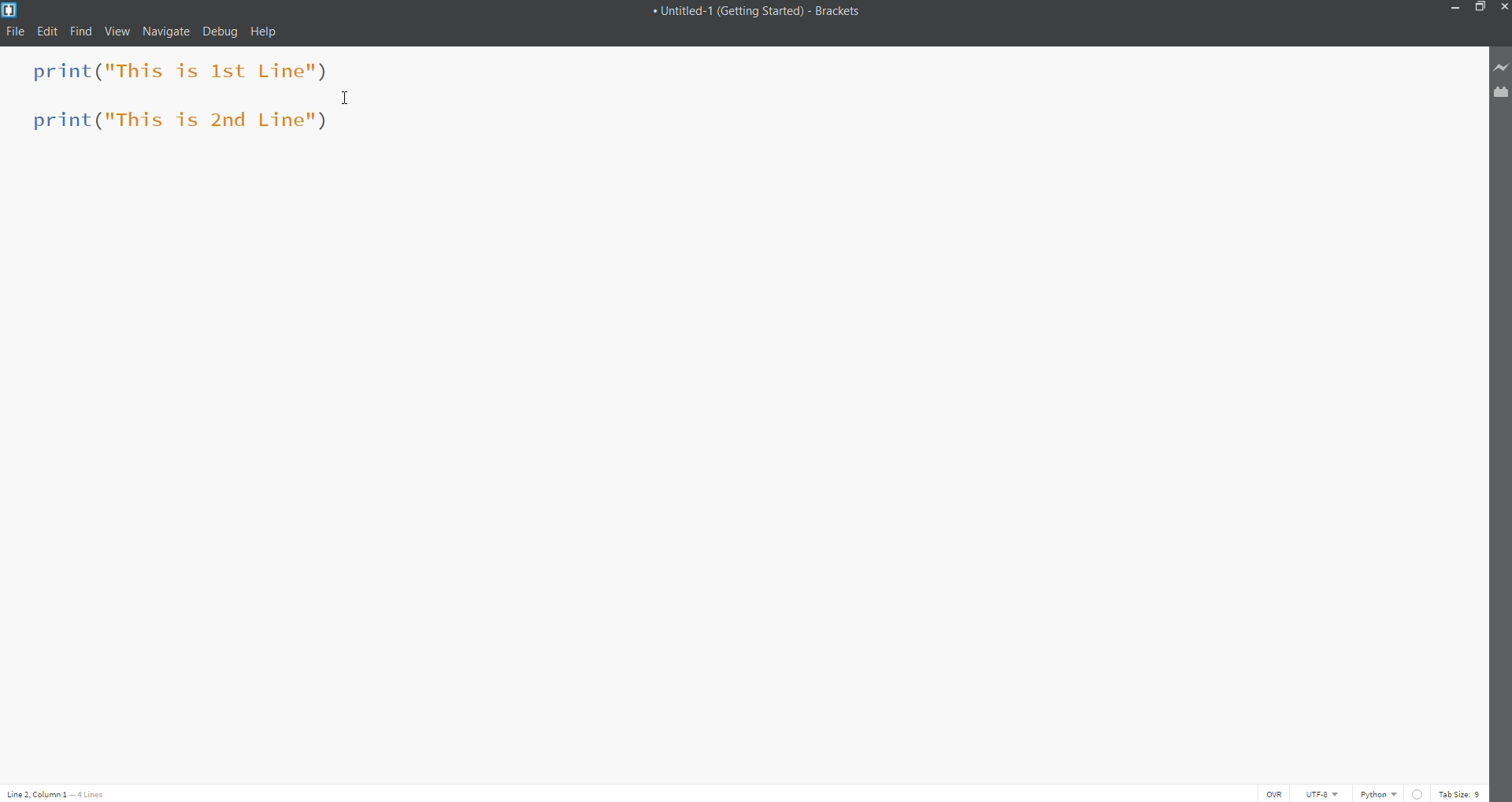  Describe the element at coordinates (176, 98) in the screenshot. I see `print("This is 1st Line")
print("This is 2nd Line")` at that location.